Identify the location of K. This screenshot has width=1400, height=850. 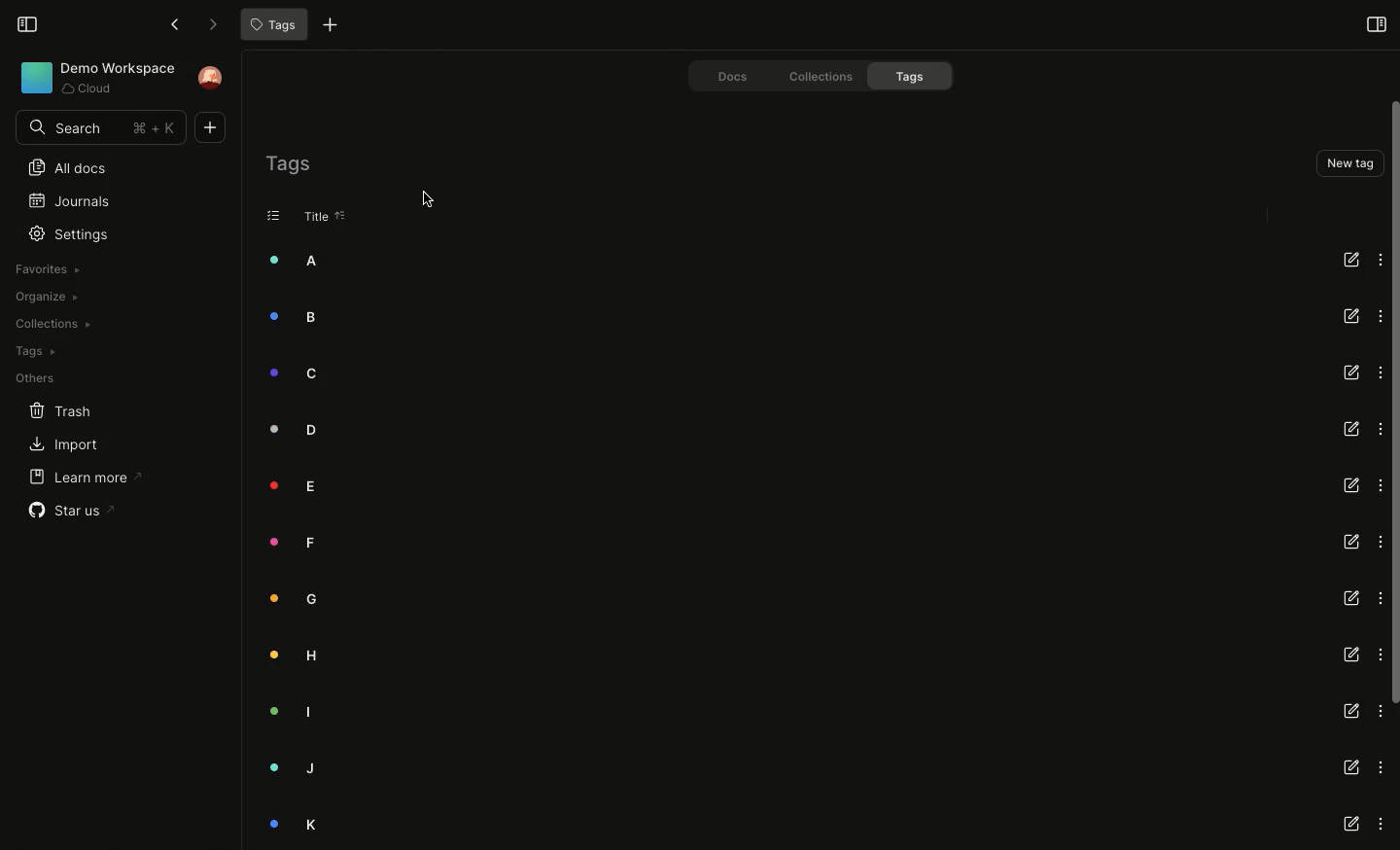
(296, 824).